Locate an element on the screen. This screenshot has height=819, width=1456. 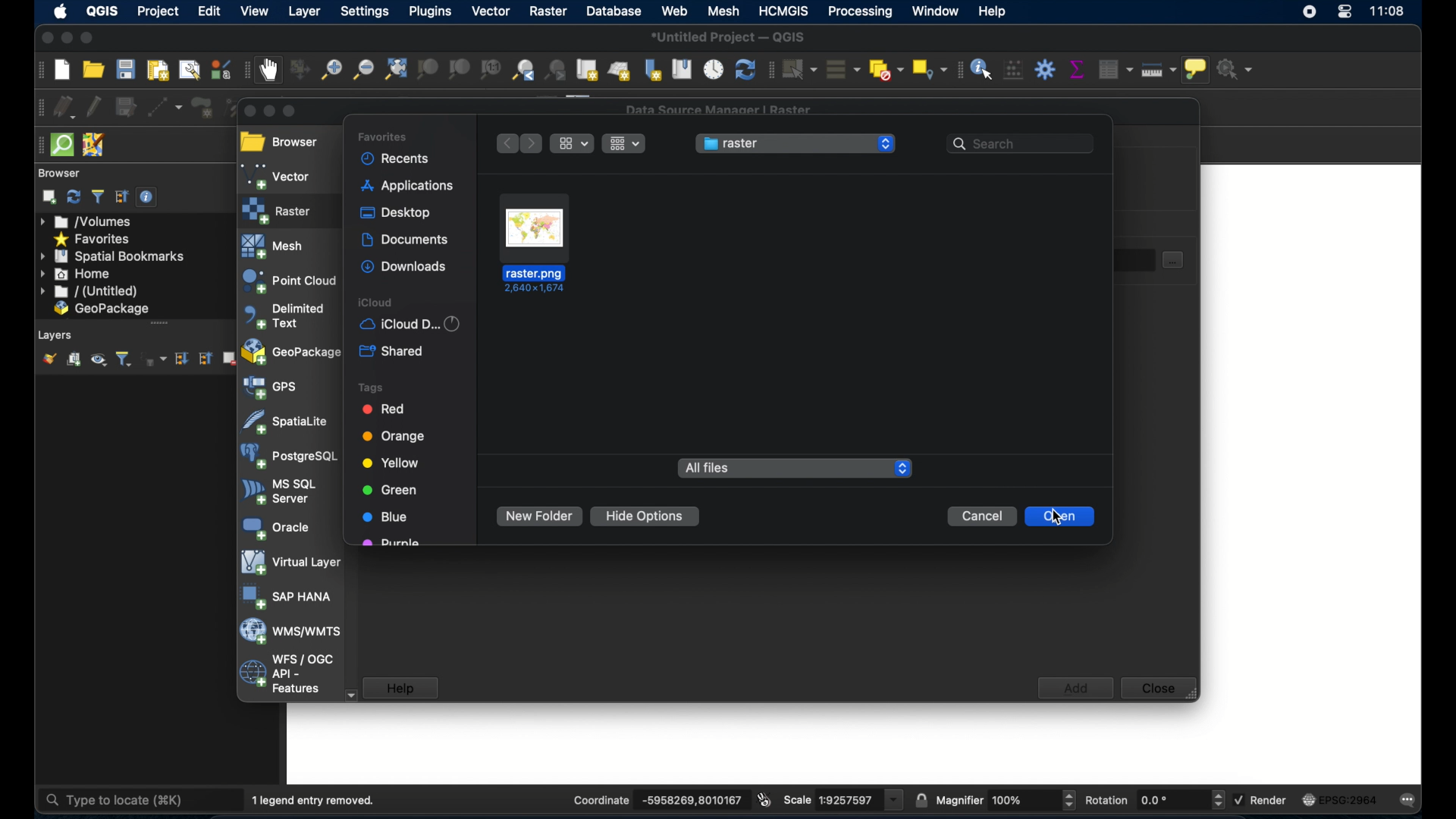
layer is located at coordinates (306, 14).